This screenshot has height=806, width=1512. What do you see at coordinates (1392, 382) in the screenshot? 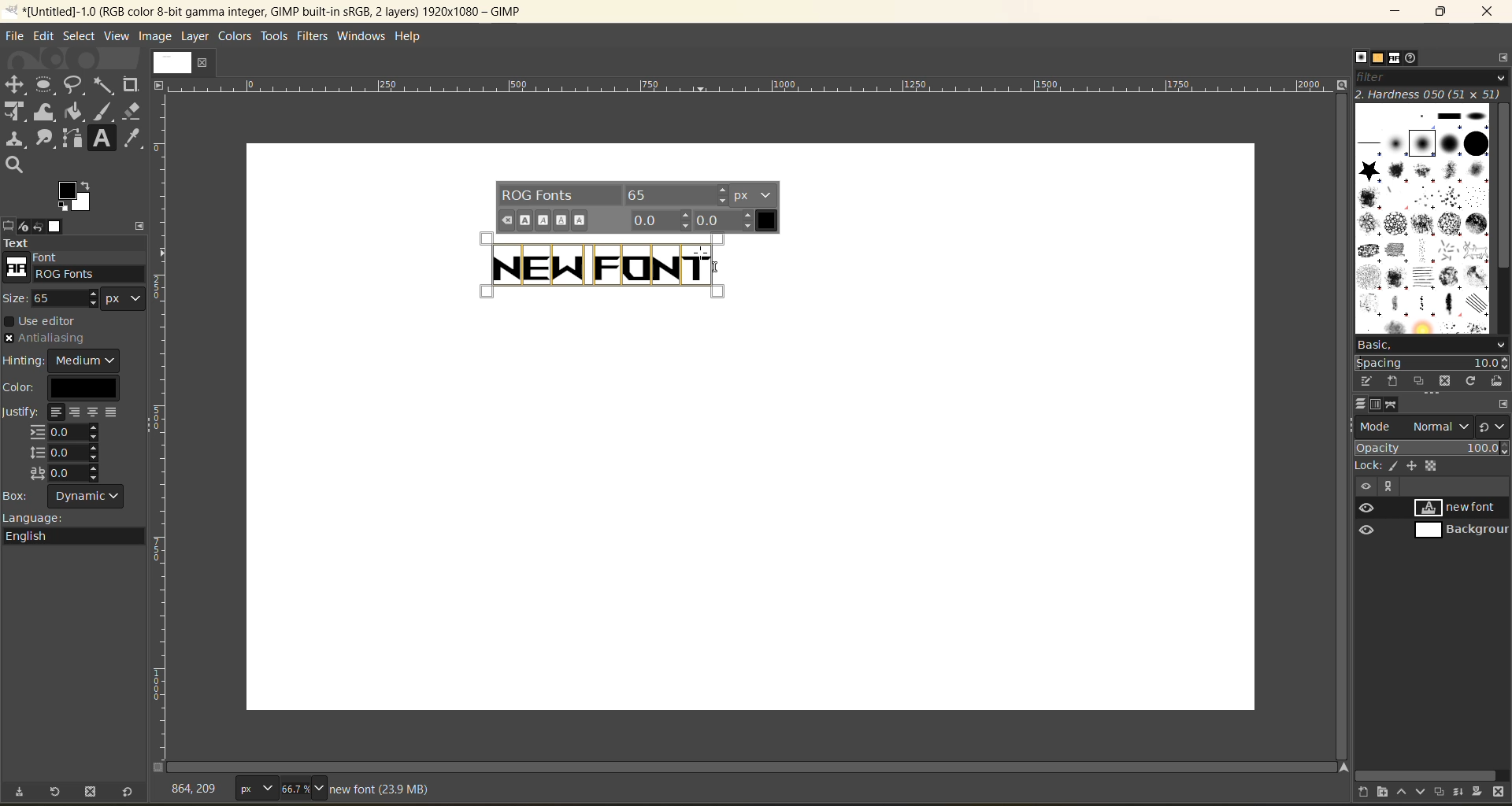
I see `create a new brush` at bounding box center [1392, 382].